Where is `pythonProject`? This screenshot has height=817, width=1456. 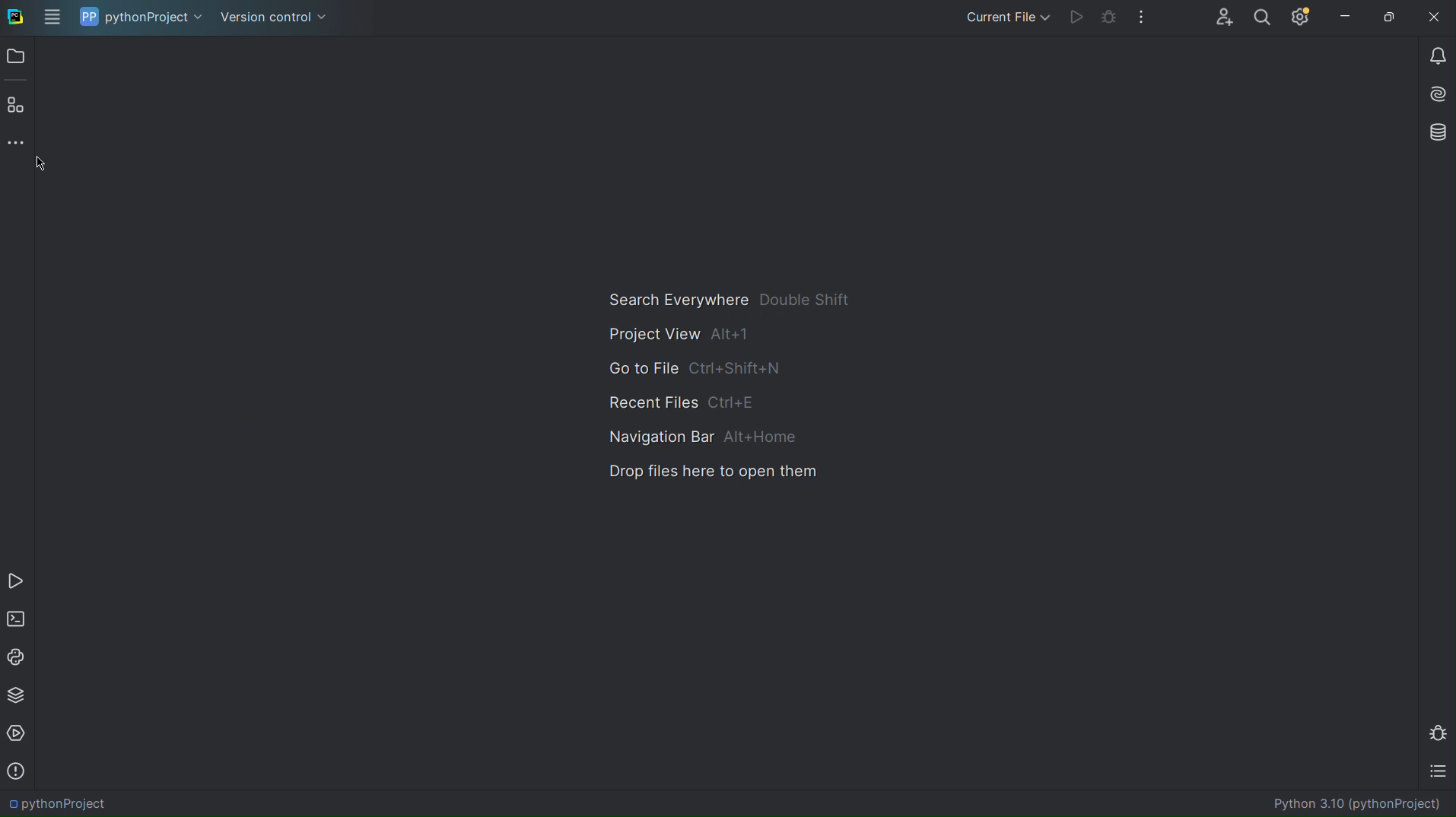
pythonProject is located at coordinates (141, 16).